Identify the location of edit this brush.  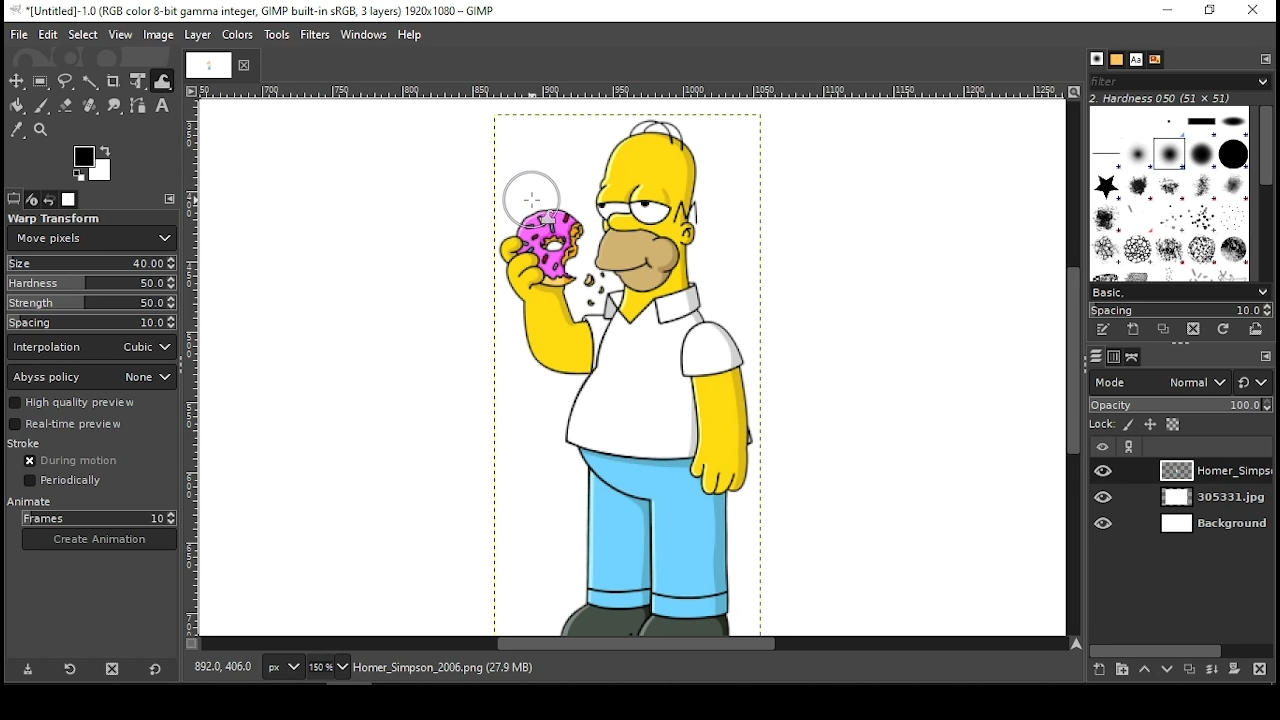
(1103, 330).